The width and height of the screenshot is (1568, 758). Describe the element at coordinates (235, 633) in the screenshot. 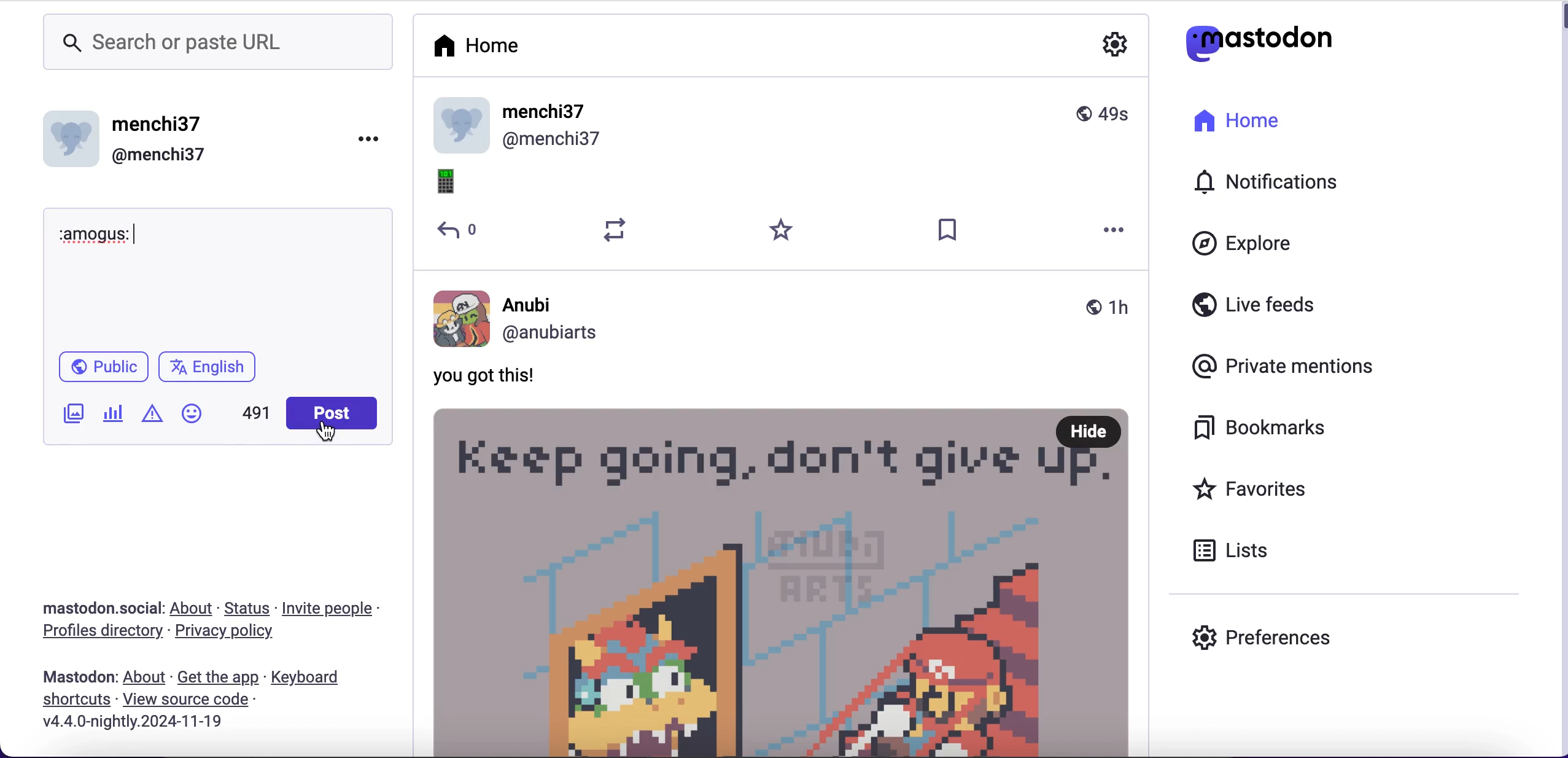

I see `privacy policy` at that location.